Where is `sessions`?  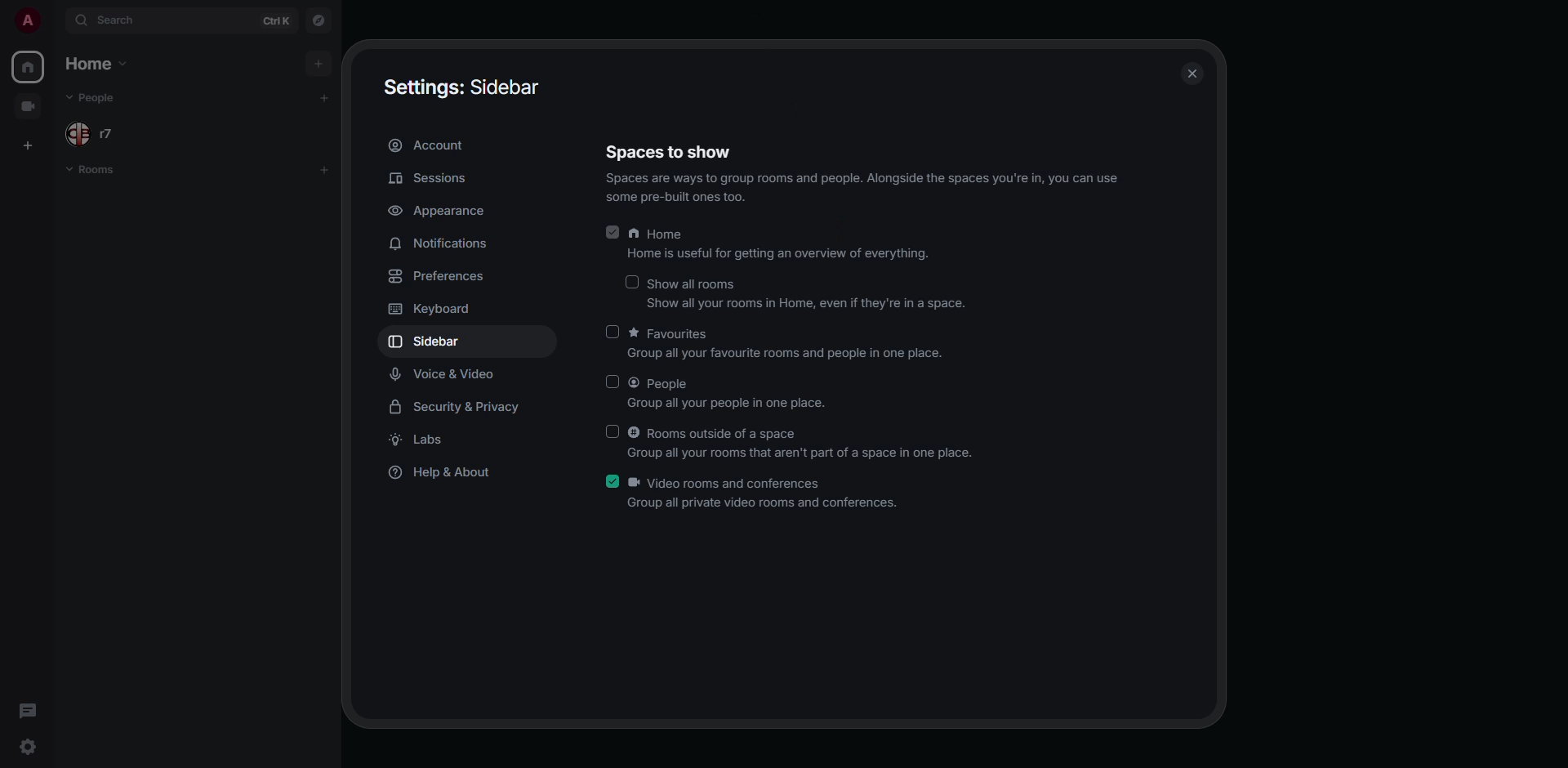
sessions is located at coordinates (427, 177).